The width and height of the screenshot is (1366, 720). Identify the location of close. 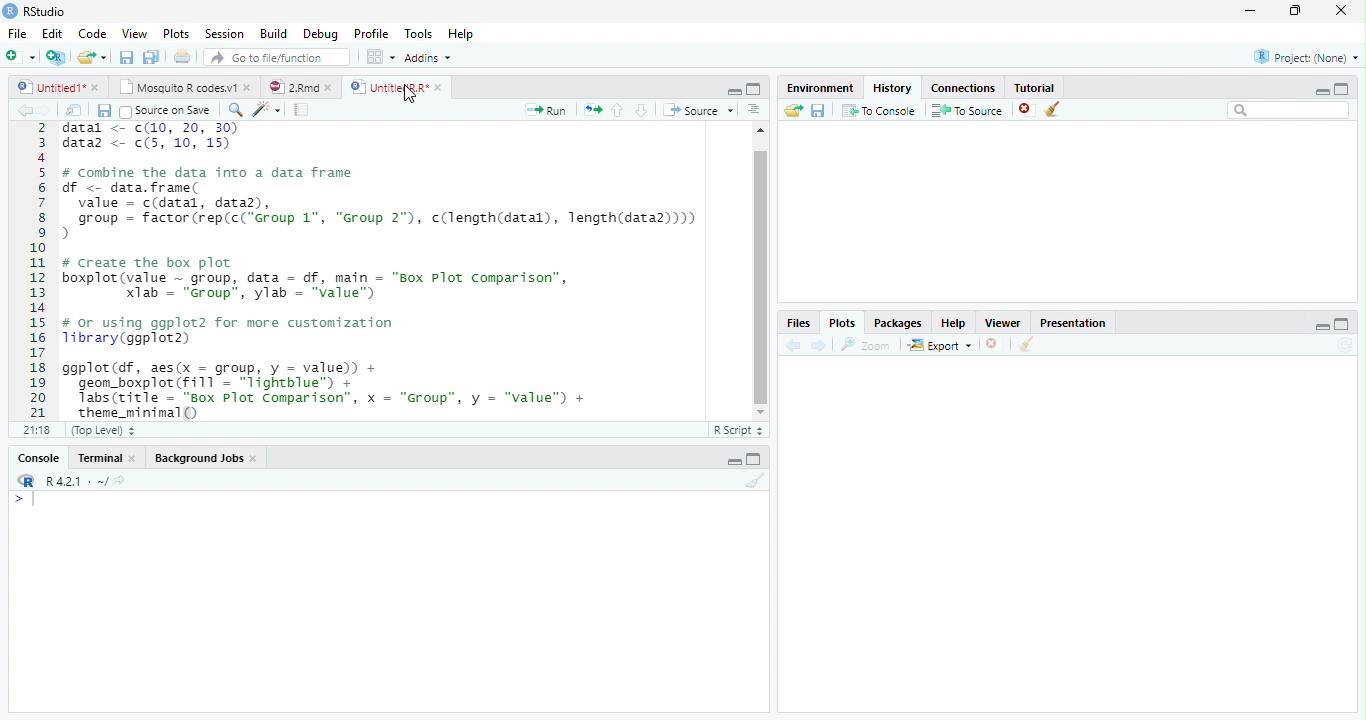
(439, 87).